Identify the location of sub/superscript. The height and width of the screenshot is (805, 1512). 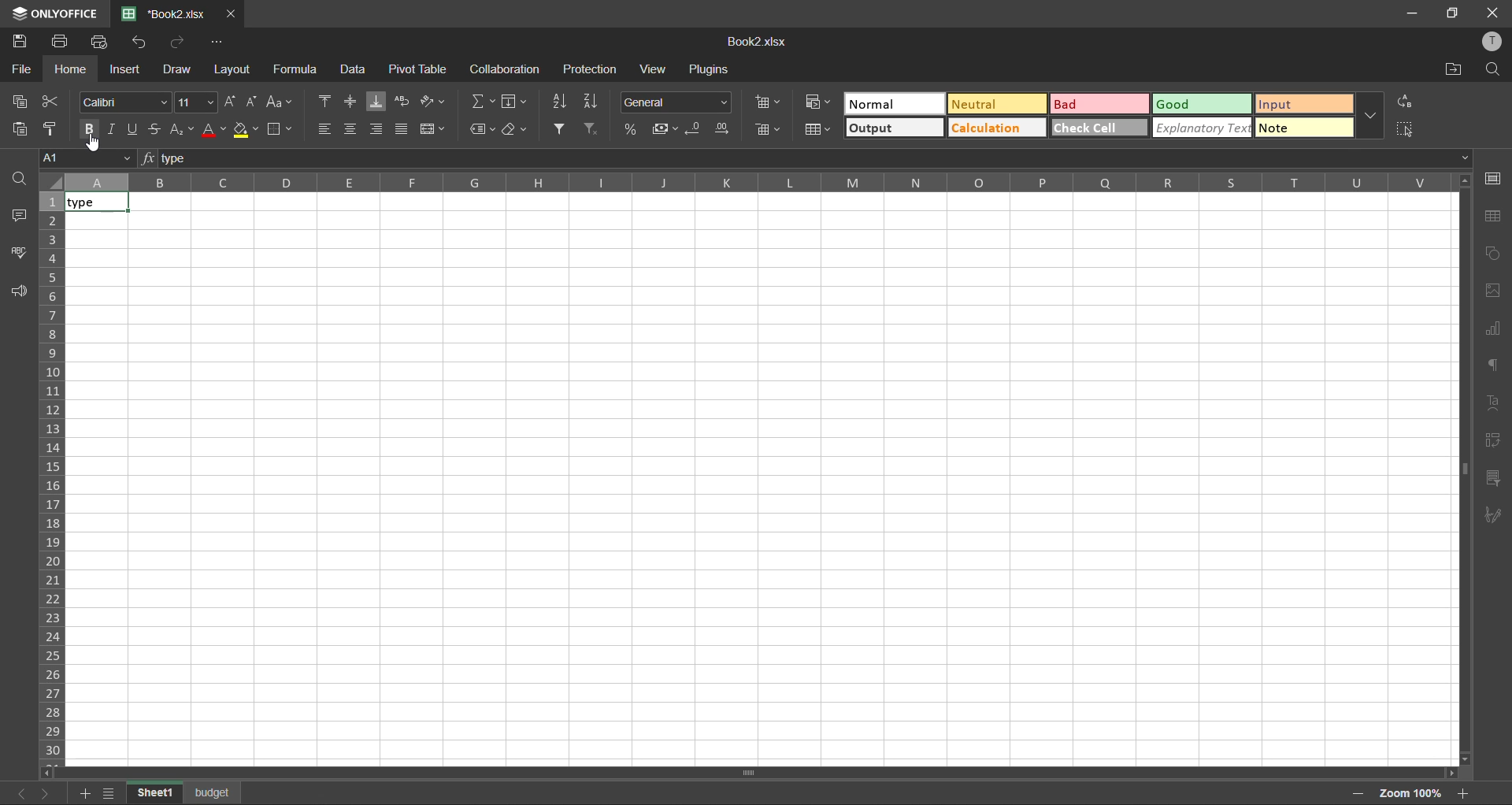
(178, 131).